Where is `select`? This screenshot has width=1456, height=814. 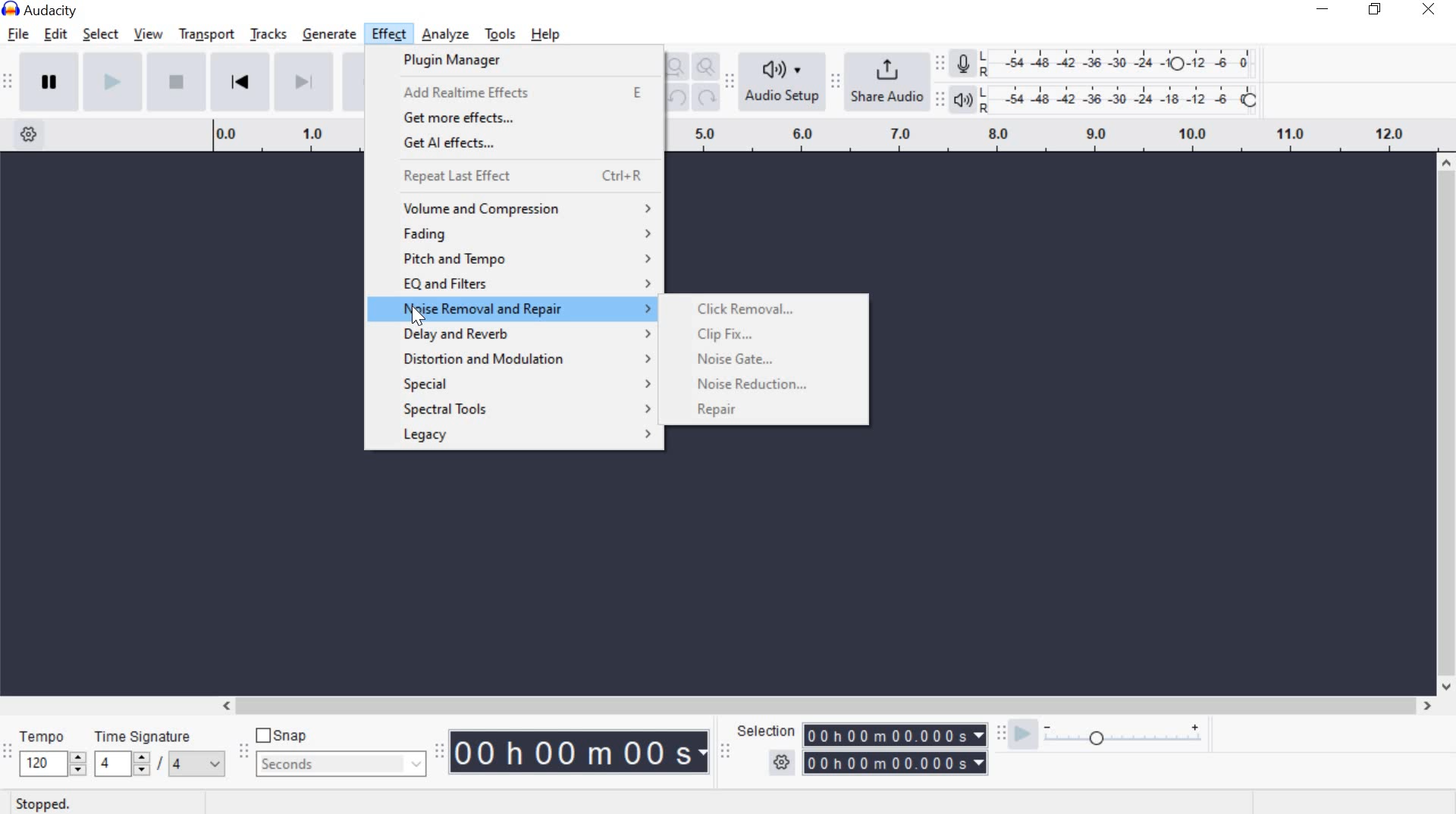 select is located at coordinates (100, 33).